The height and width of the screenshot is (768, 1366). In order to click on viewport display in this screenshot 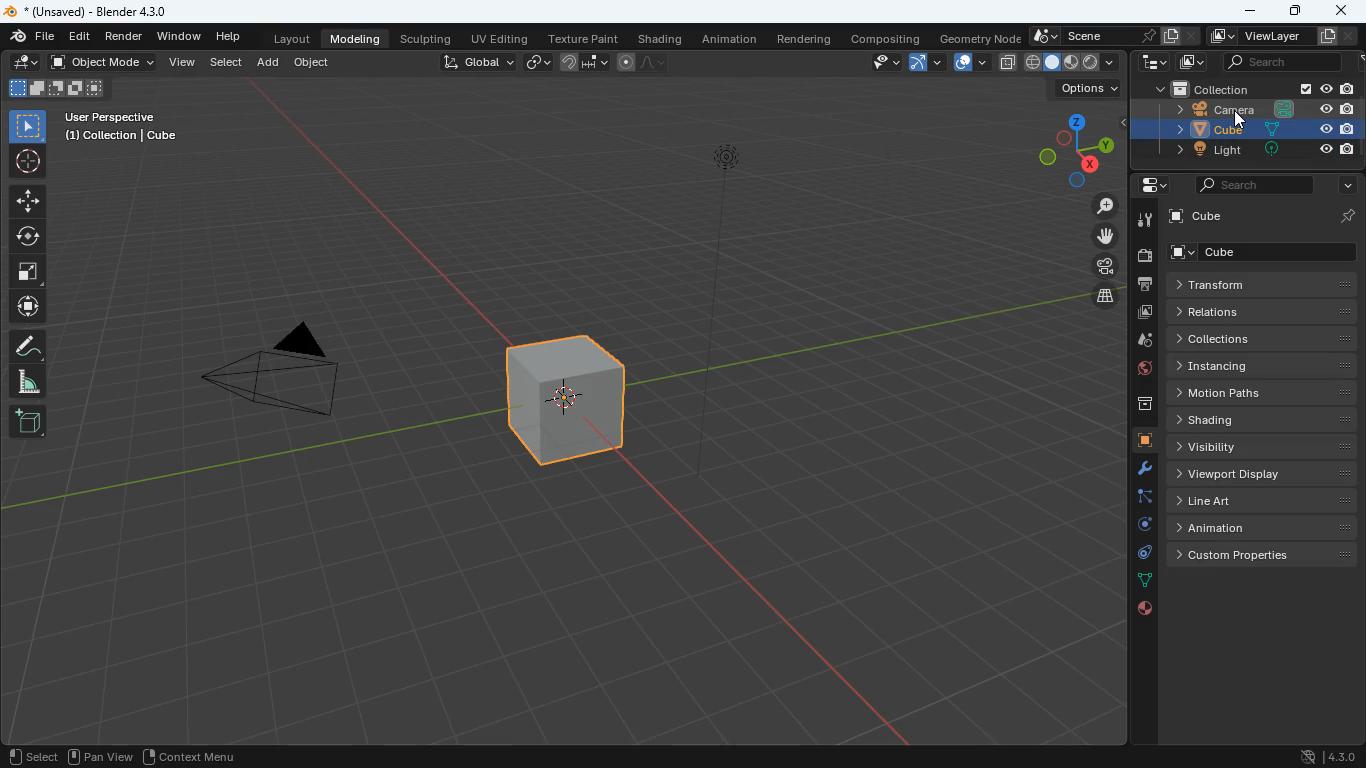, I will do `click(1265, 474)`.